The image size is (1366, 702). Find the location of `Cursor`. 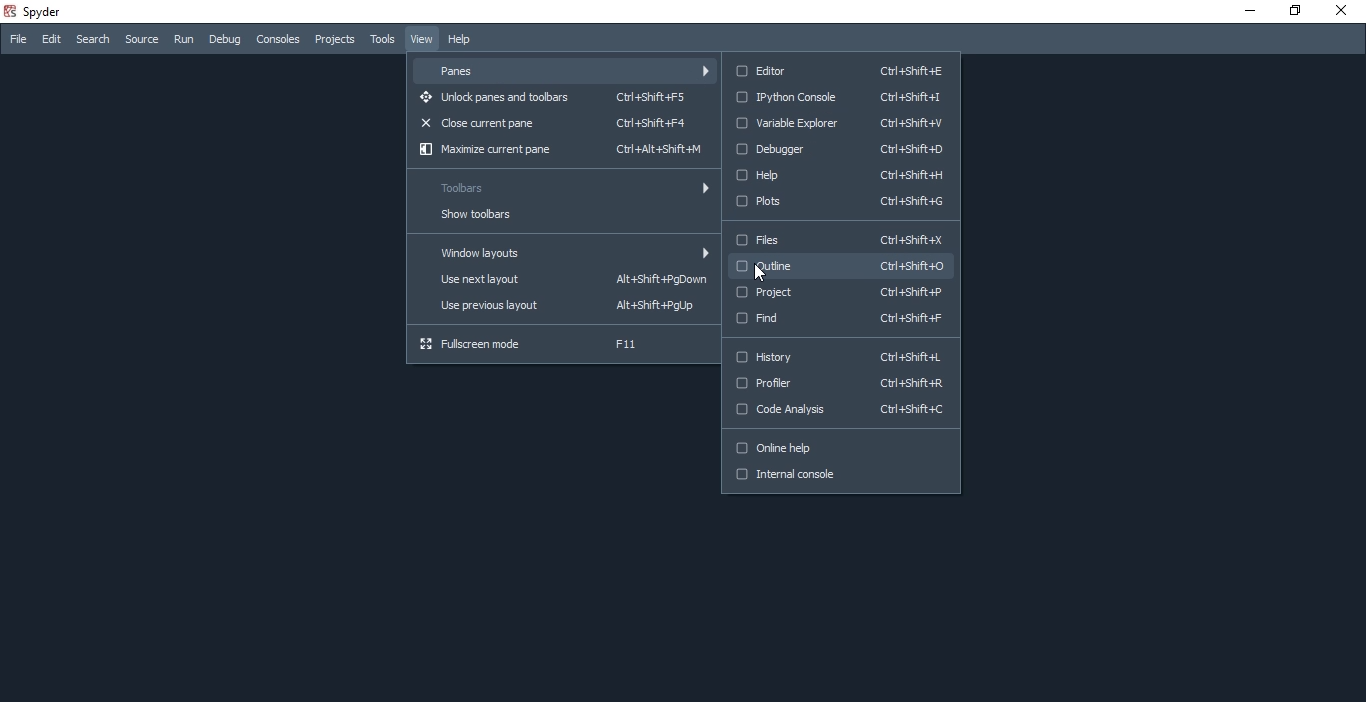

Cursor is located at coordinates (760, 272).